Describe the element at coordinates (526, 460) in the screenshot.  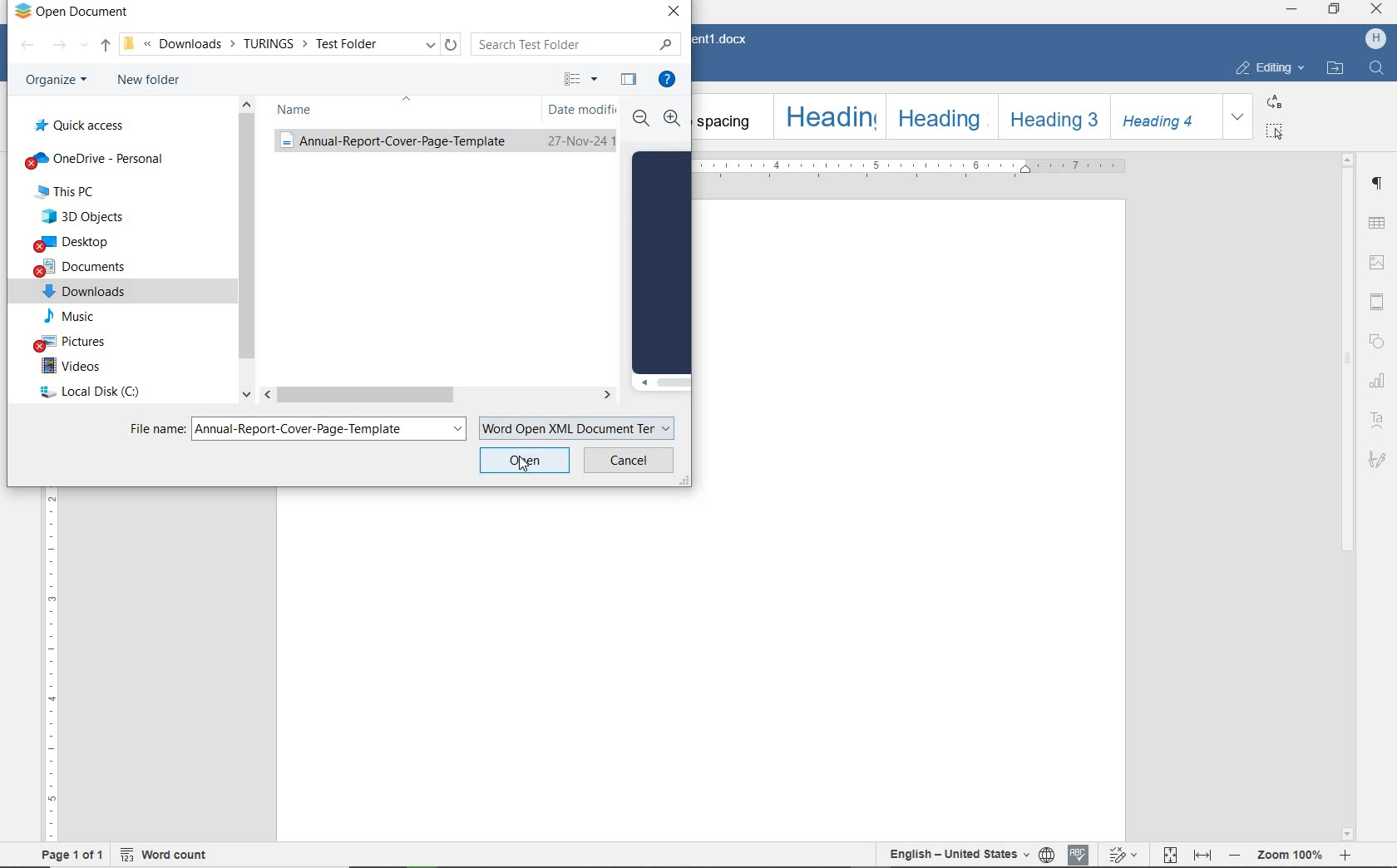
I see `OPEN` at that location.